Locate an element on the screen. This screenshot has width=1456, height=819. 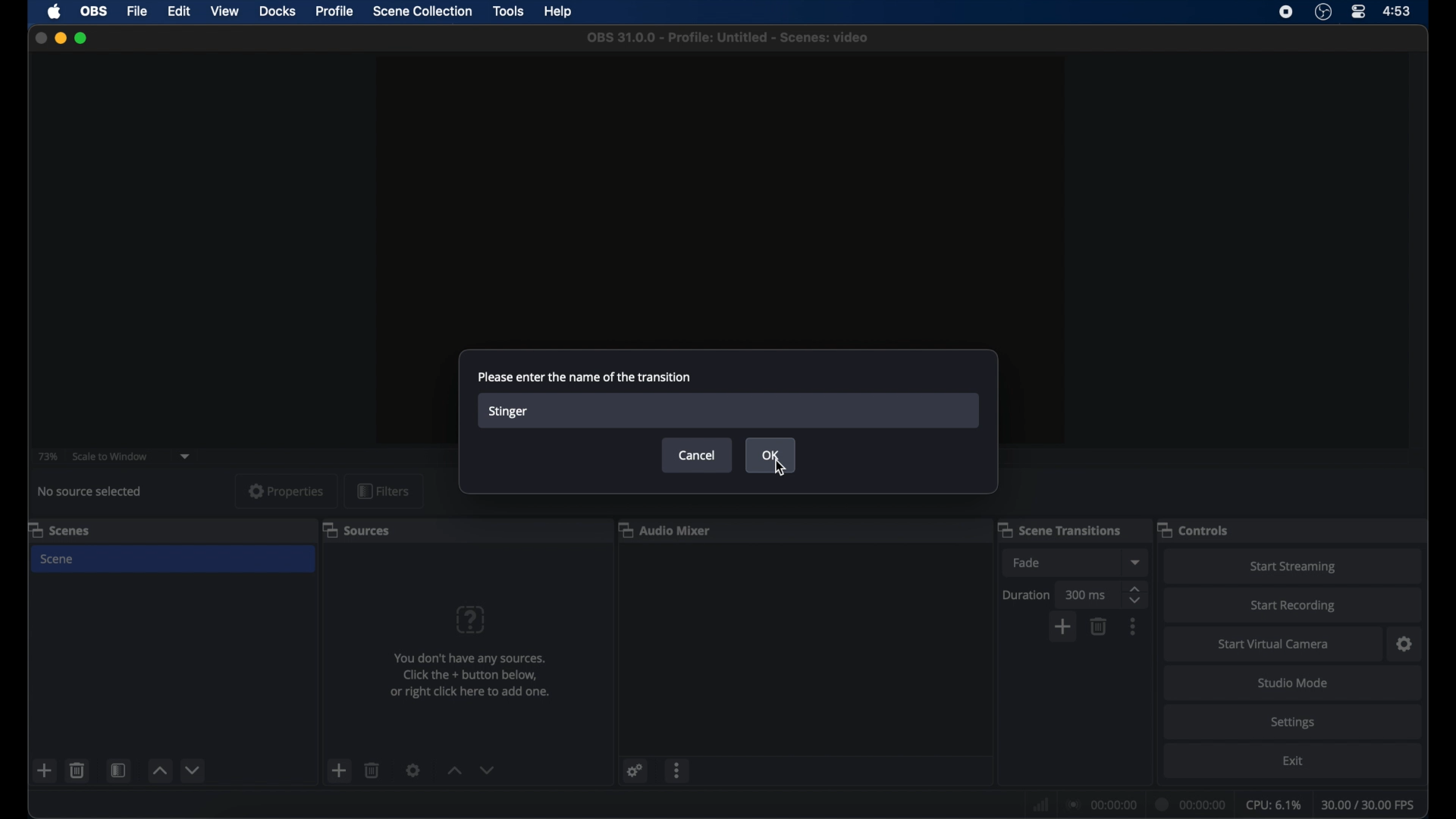
increment is located at coordinates (452, 771).